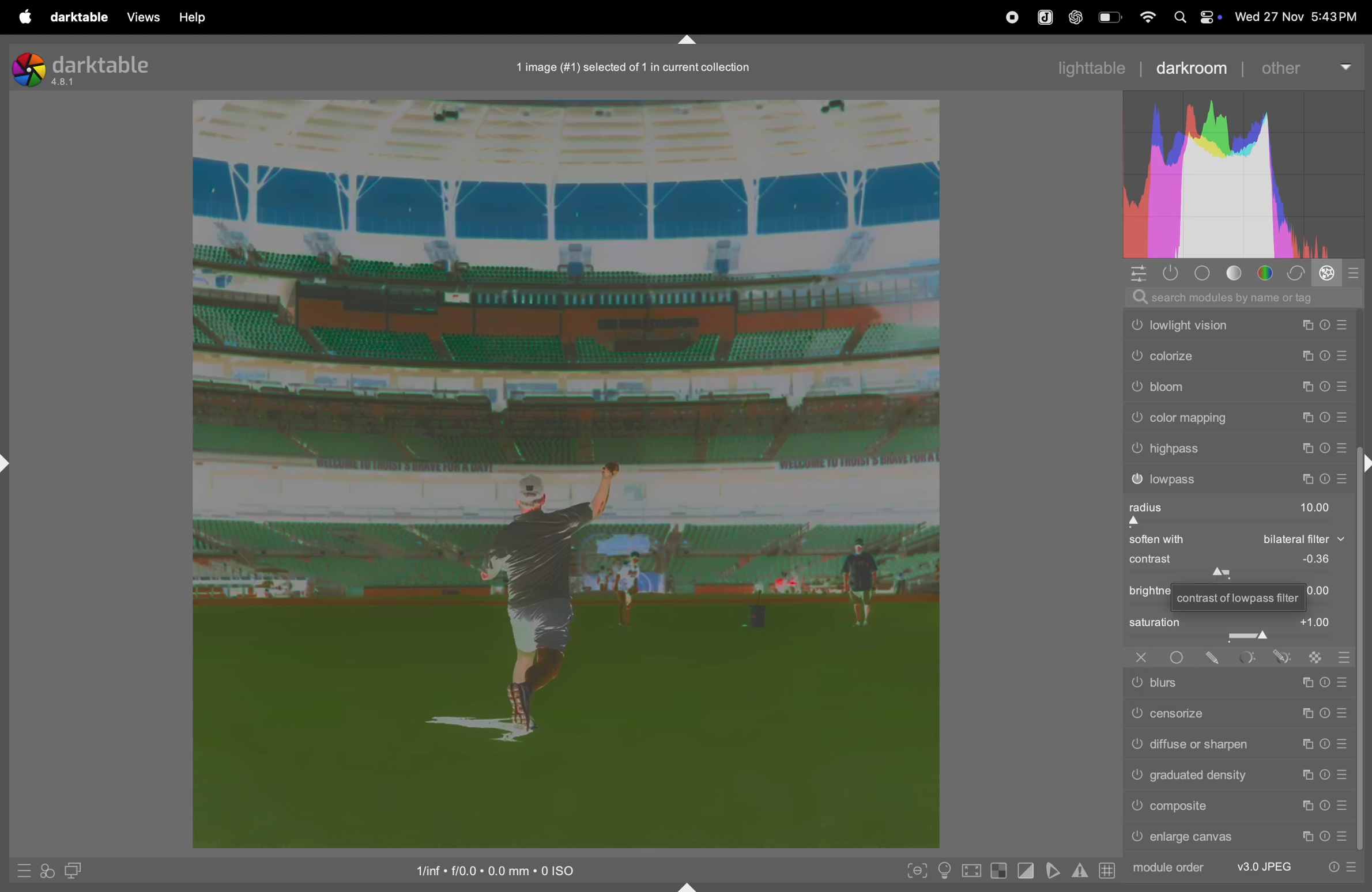  I want to click on battery, so click(1111, 17).